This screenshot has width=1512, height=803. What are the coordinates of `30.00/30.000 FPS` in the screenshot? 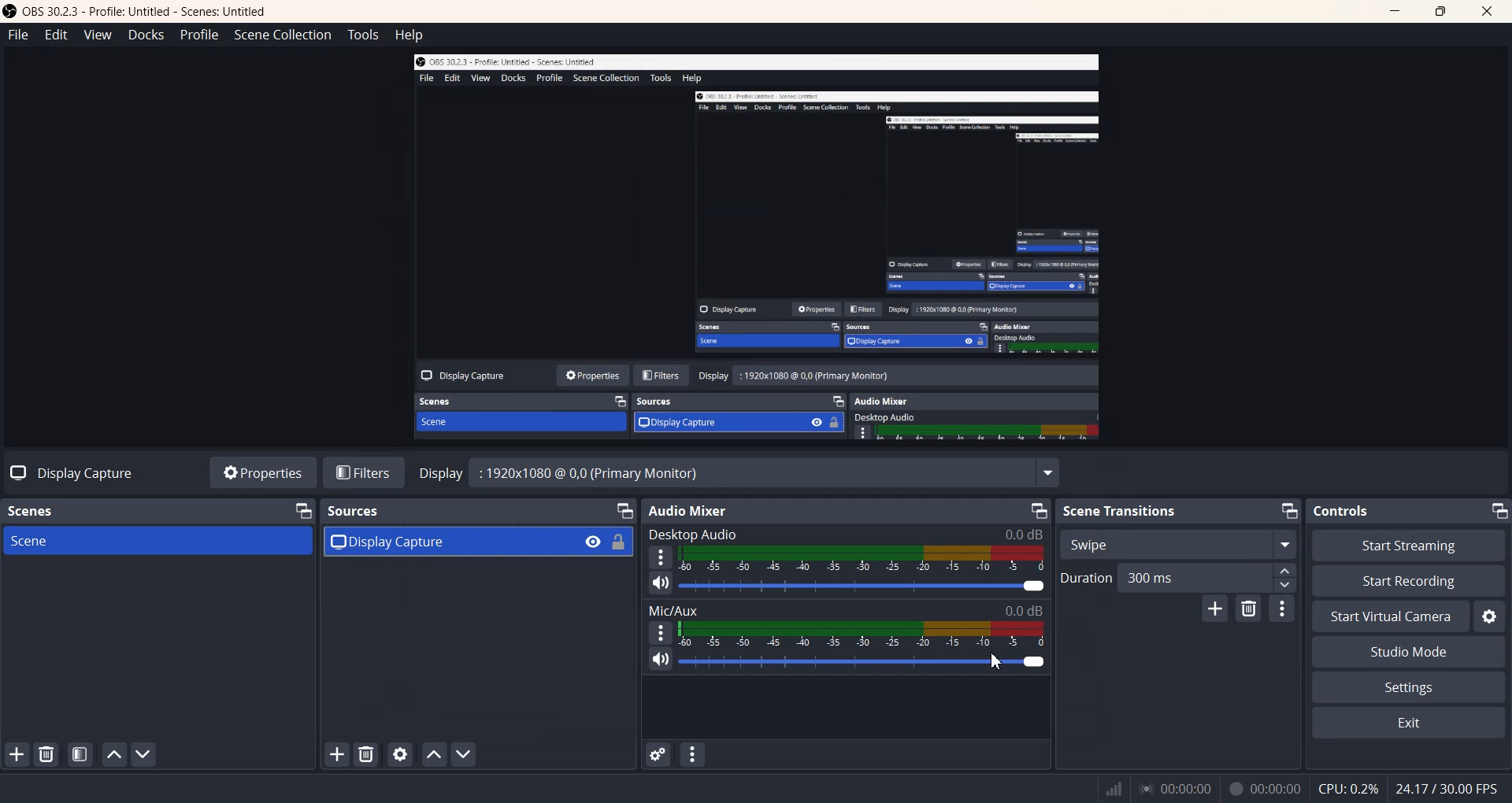 It's located at (1444, 788).